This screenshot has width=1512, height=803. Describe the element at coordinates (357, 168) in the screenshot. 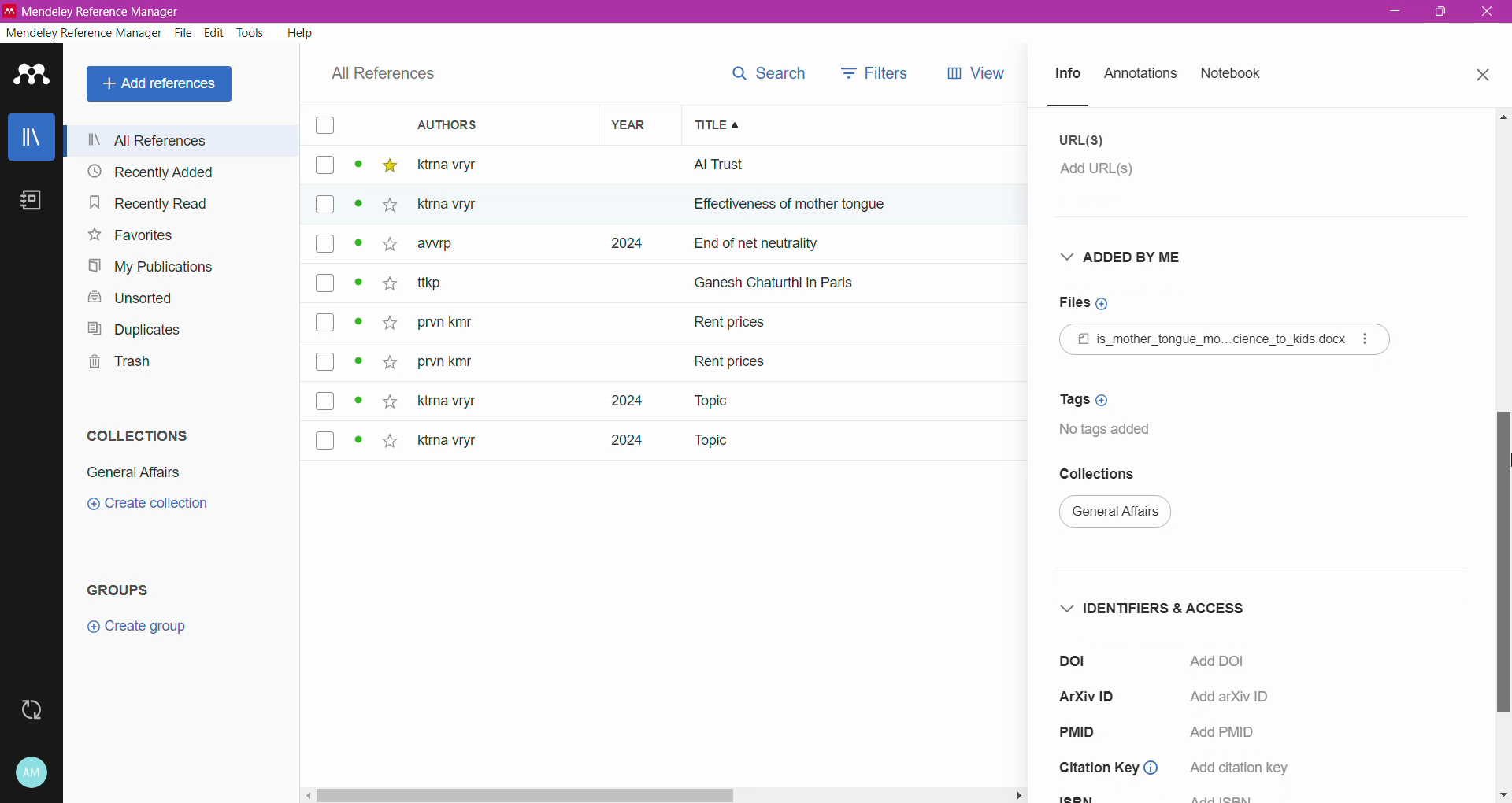

I see `dot ` at that location.